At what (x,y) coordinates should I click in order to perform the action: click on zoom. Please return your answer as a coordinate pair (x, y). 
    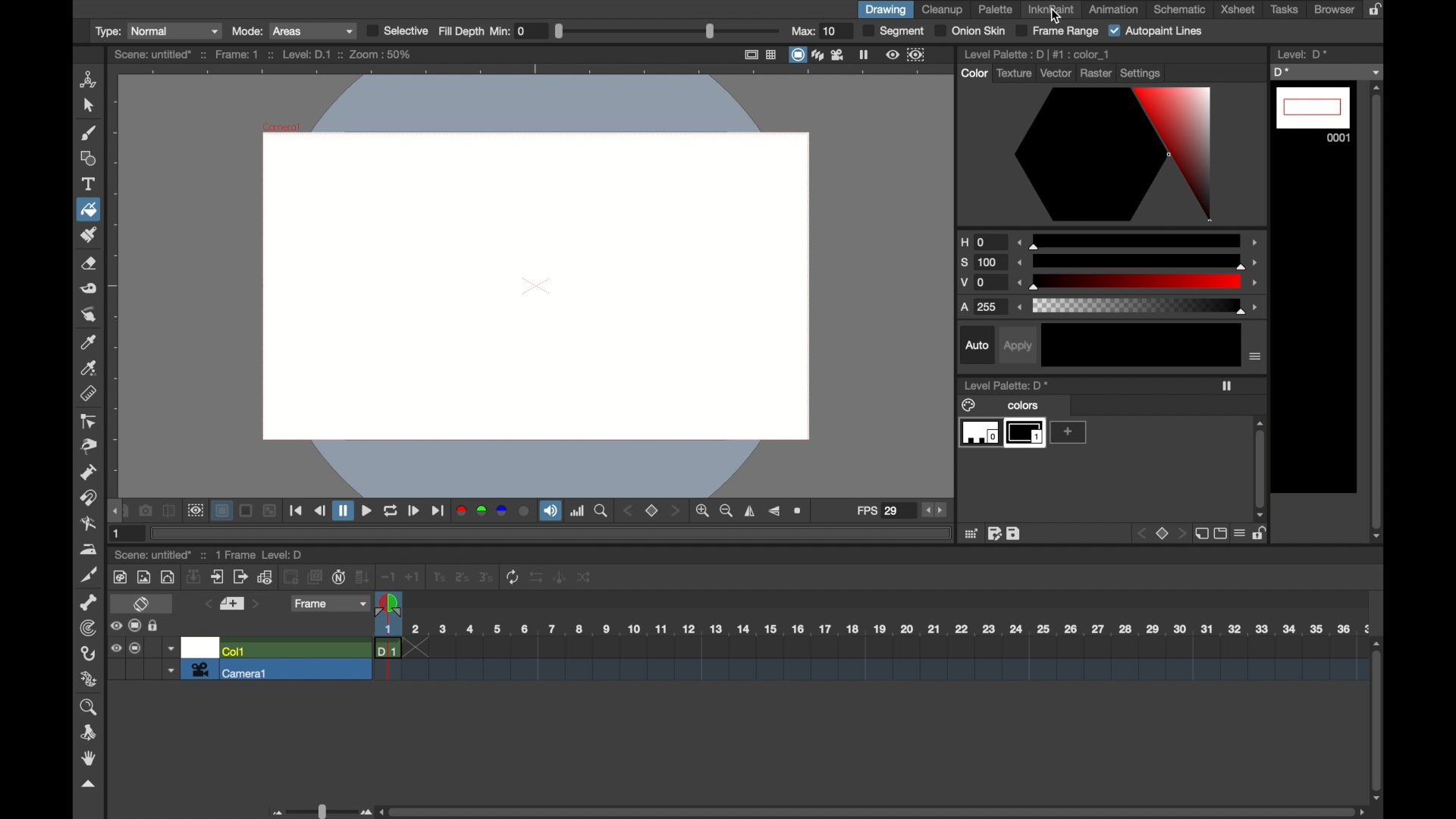
    Looking at the image, I should click on (601, 511).